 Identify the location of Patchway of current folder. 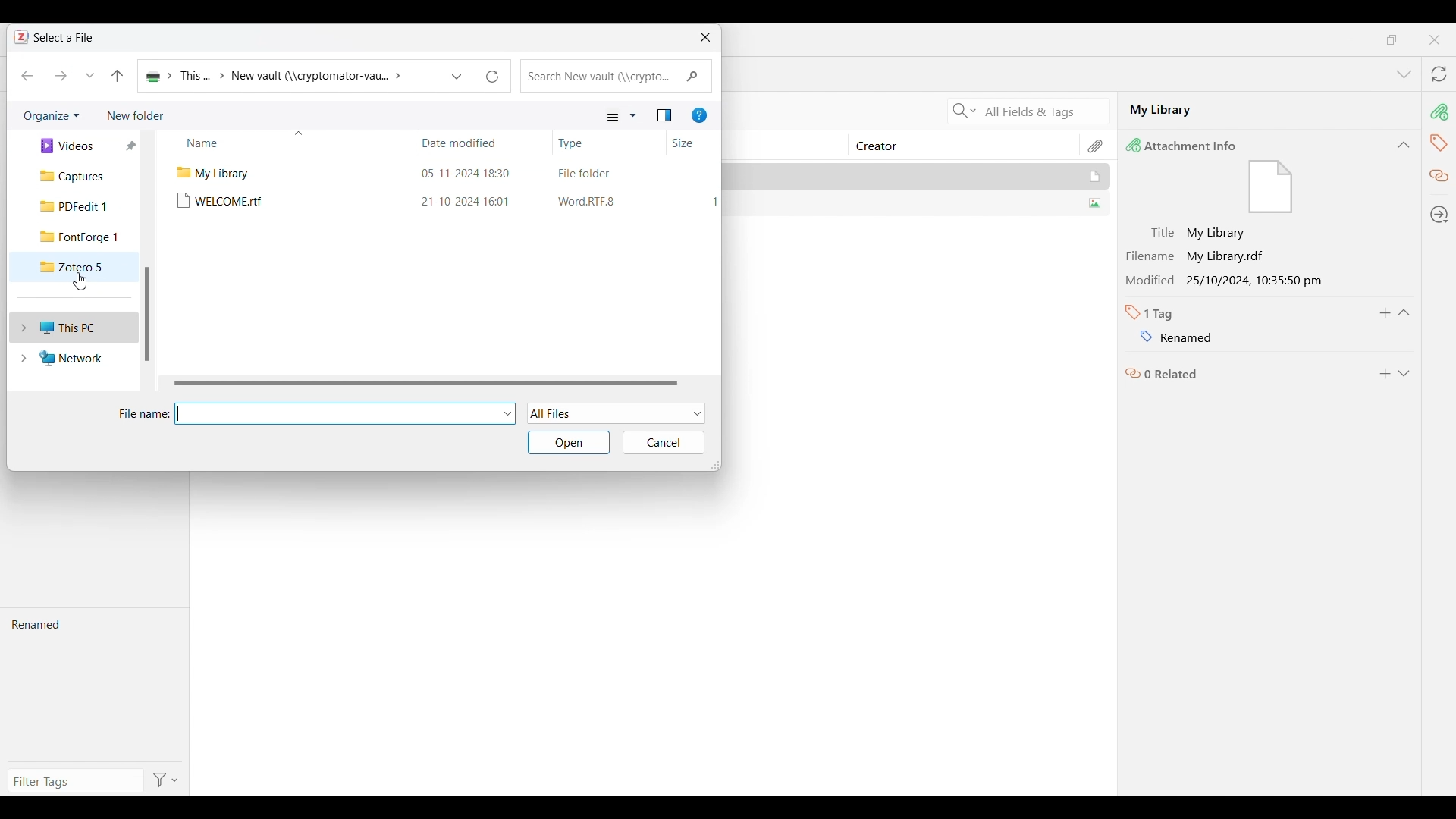
(288, 75).